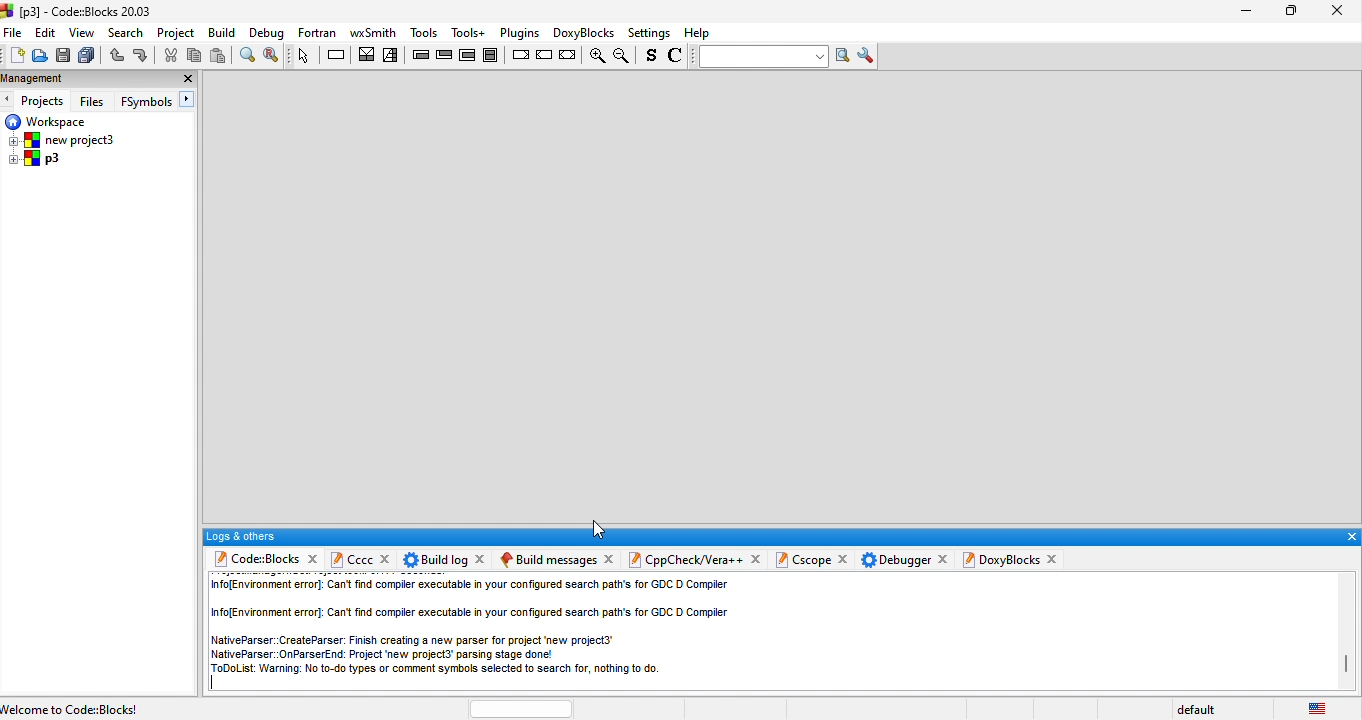  What do you see at coordinates (86, 56) in the screenshot?
I see `save everything` at bounding box center [86, 56].